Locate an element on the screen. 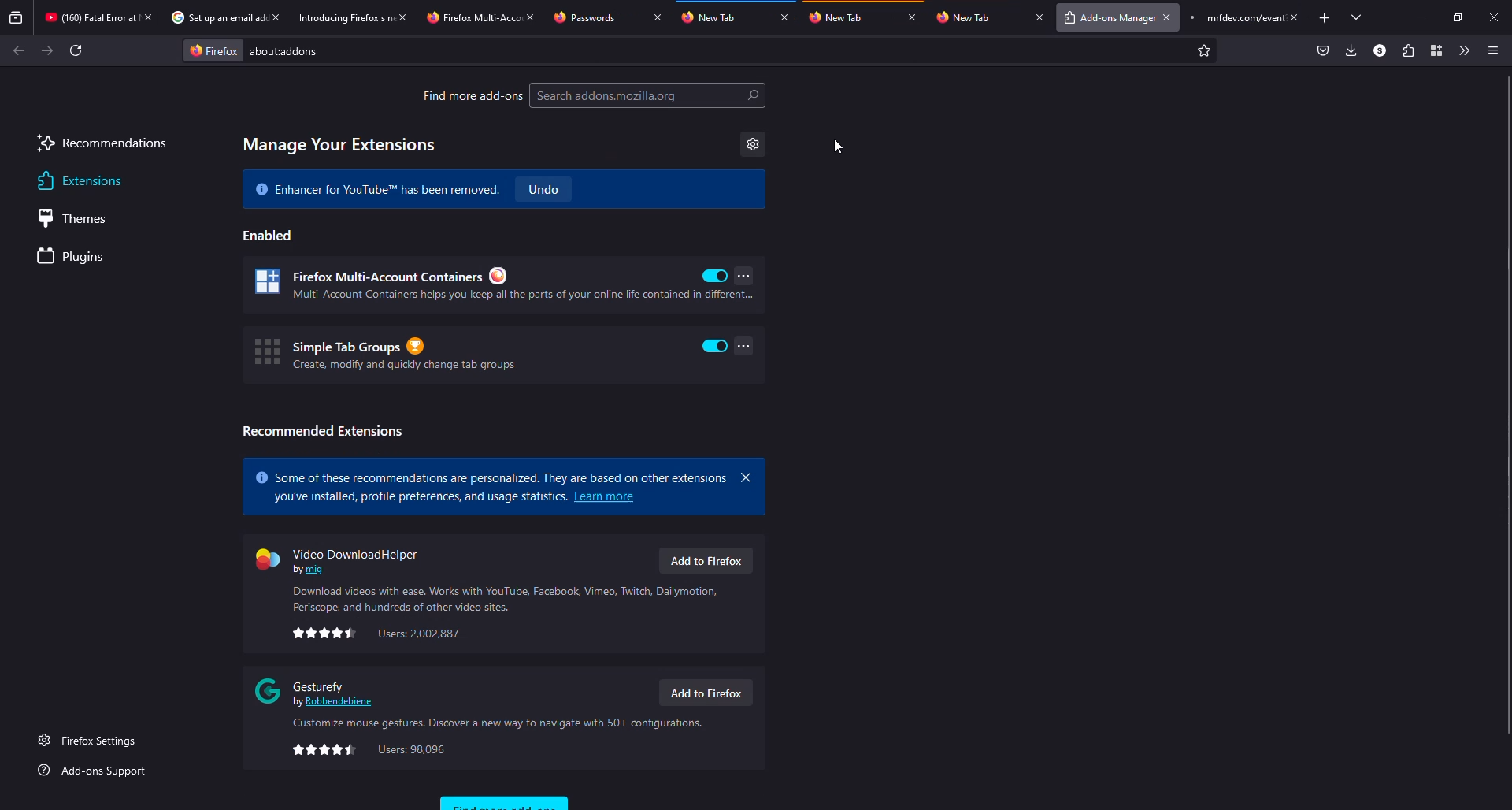  save to packet is located at coordinates (1324, 50).